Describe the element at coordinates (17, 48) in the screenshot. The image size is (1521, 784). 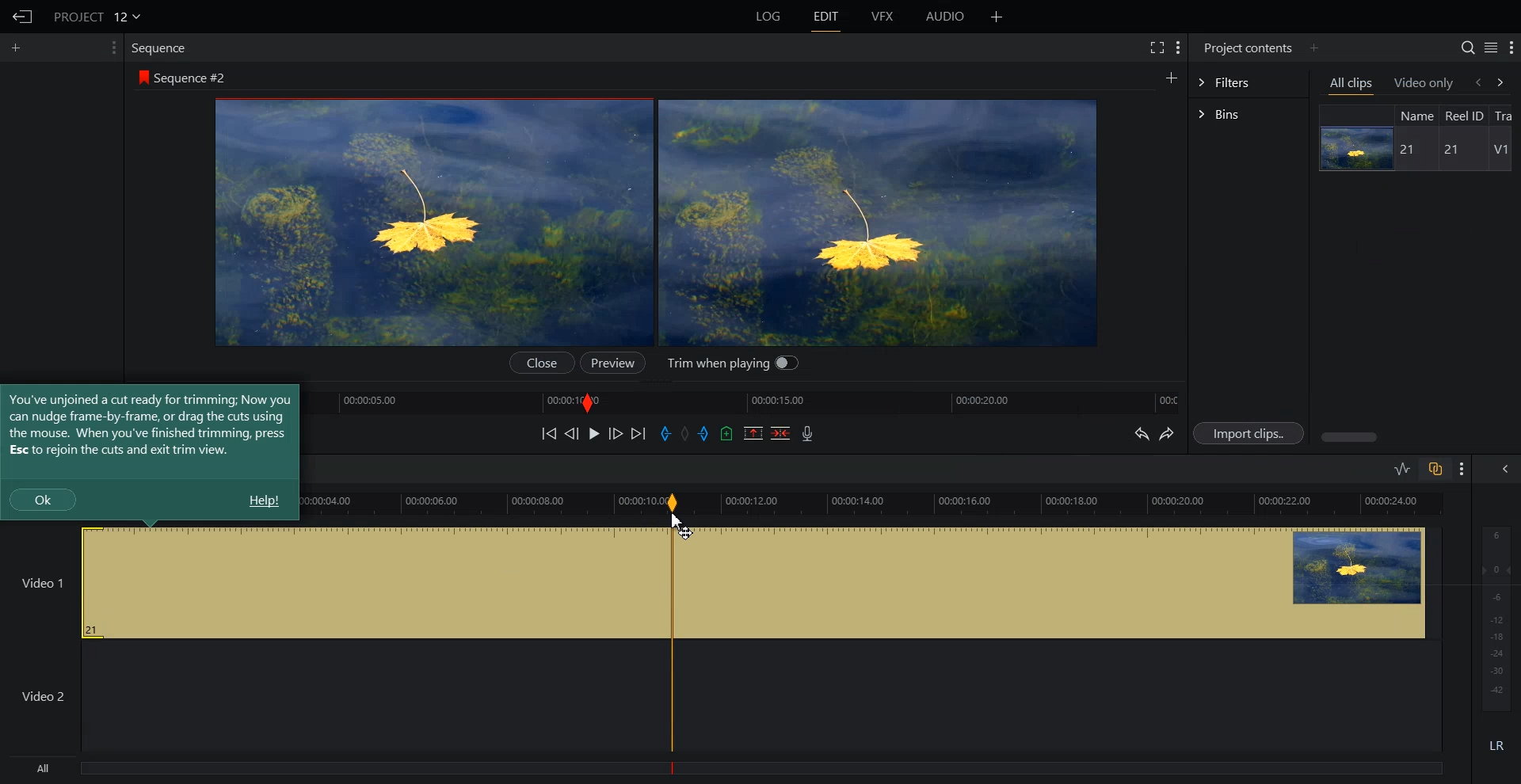
I see `Add Panel` at that location.